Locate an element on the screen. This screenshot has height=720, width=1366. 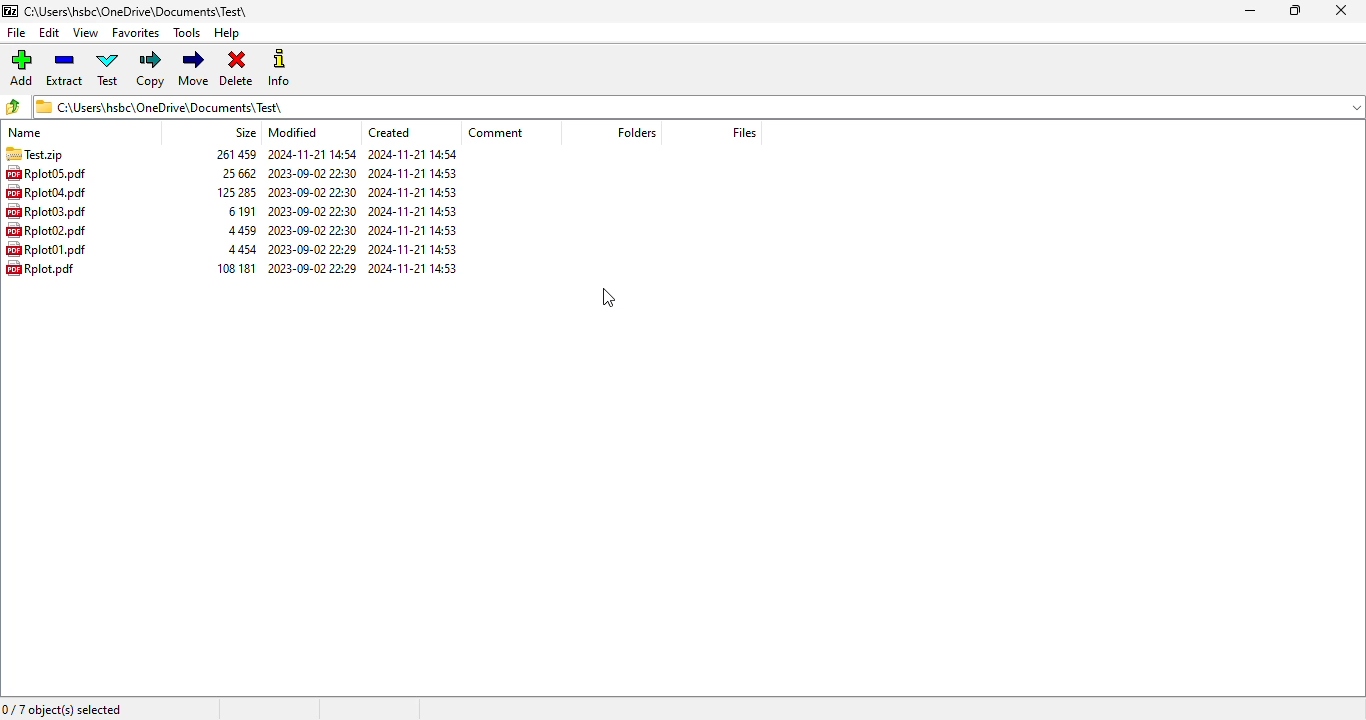
add is located at coordinates (22, 67).